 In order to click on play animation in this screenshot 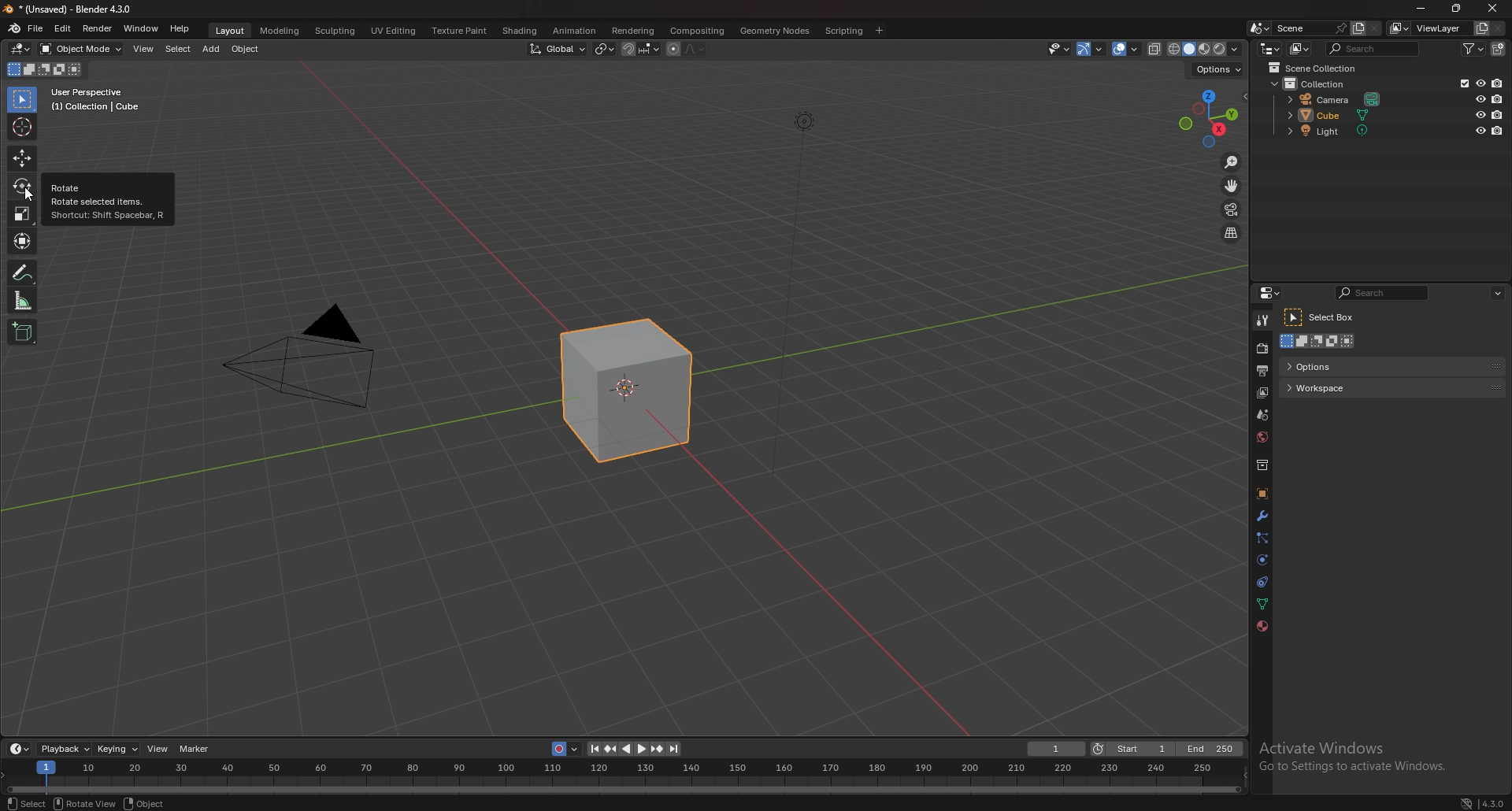, I will do `click(634, 749)`.